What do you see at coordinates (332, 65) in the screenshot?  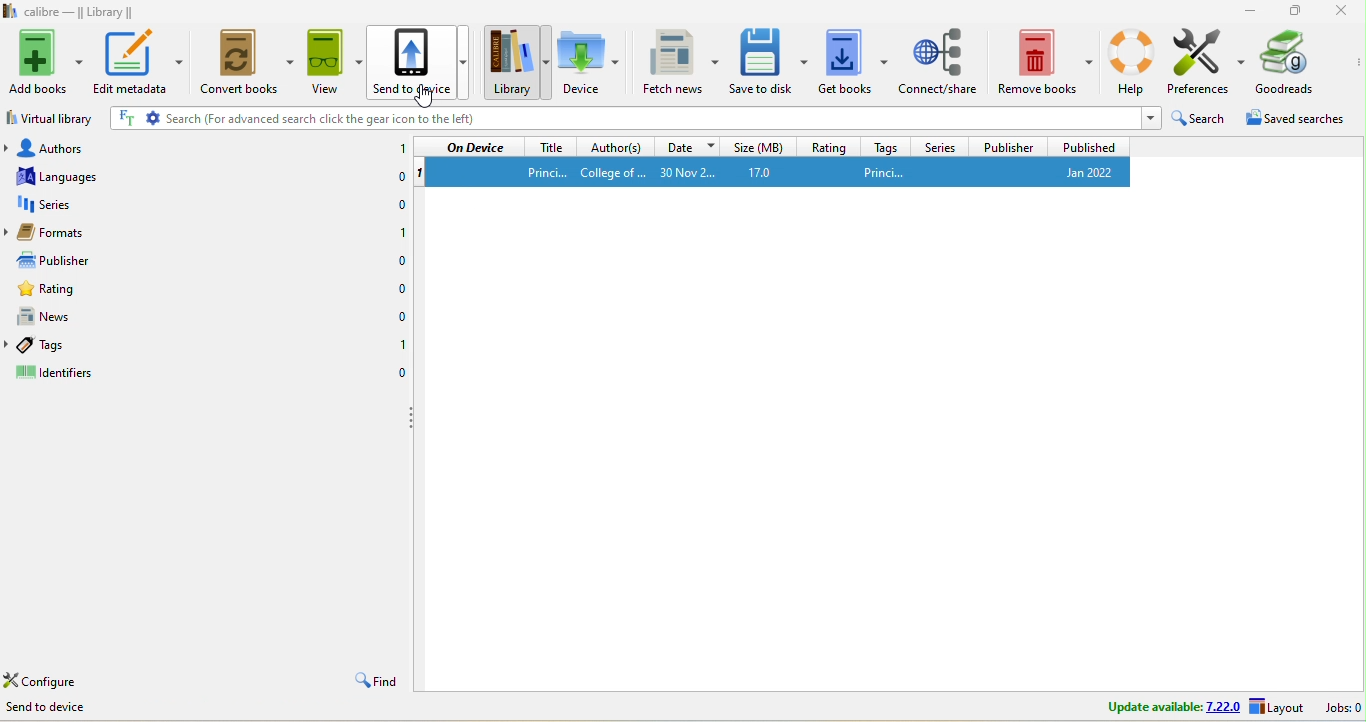 I see `view` at bounding box center [332, 65].